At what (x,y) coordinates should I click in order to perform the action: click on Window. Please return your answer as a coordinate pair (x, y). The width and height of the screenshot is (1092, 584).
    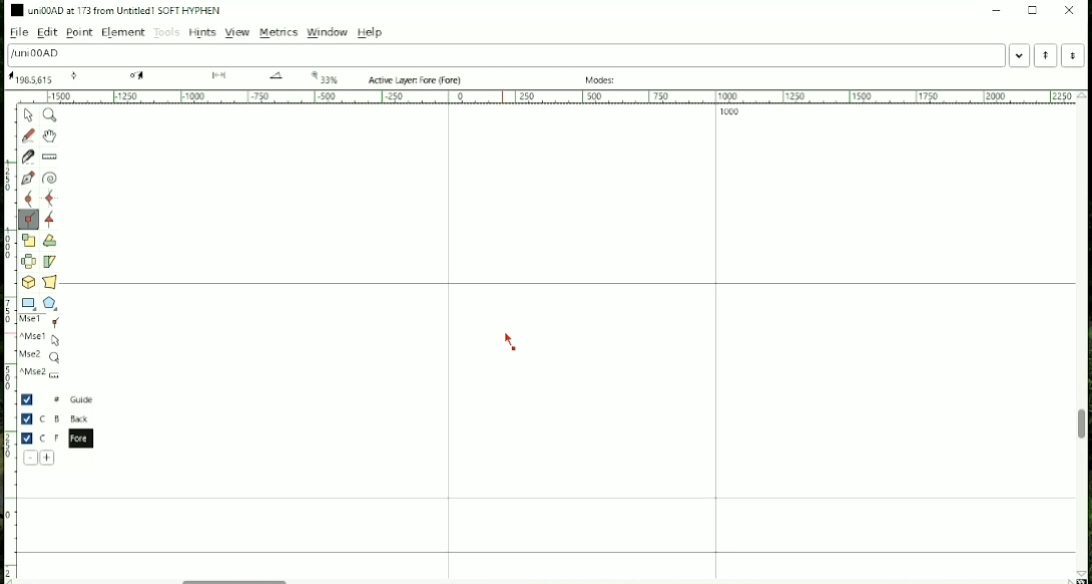
    Looking at the image, I should click on (328, 32).